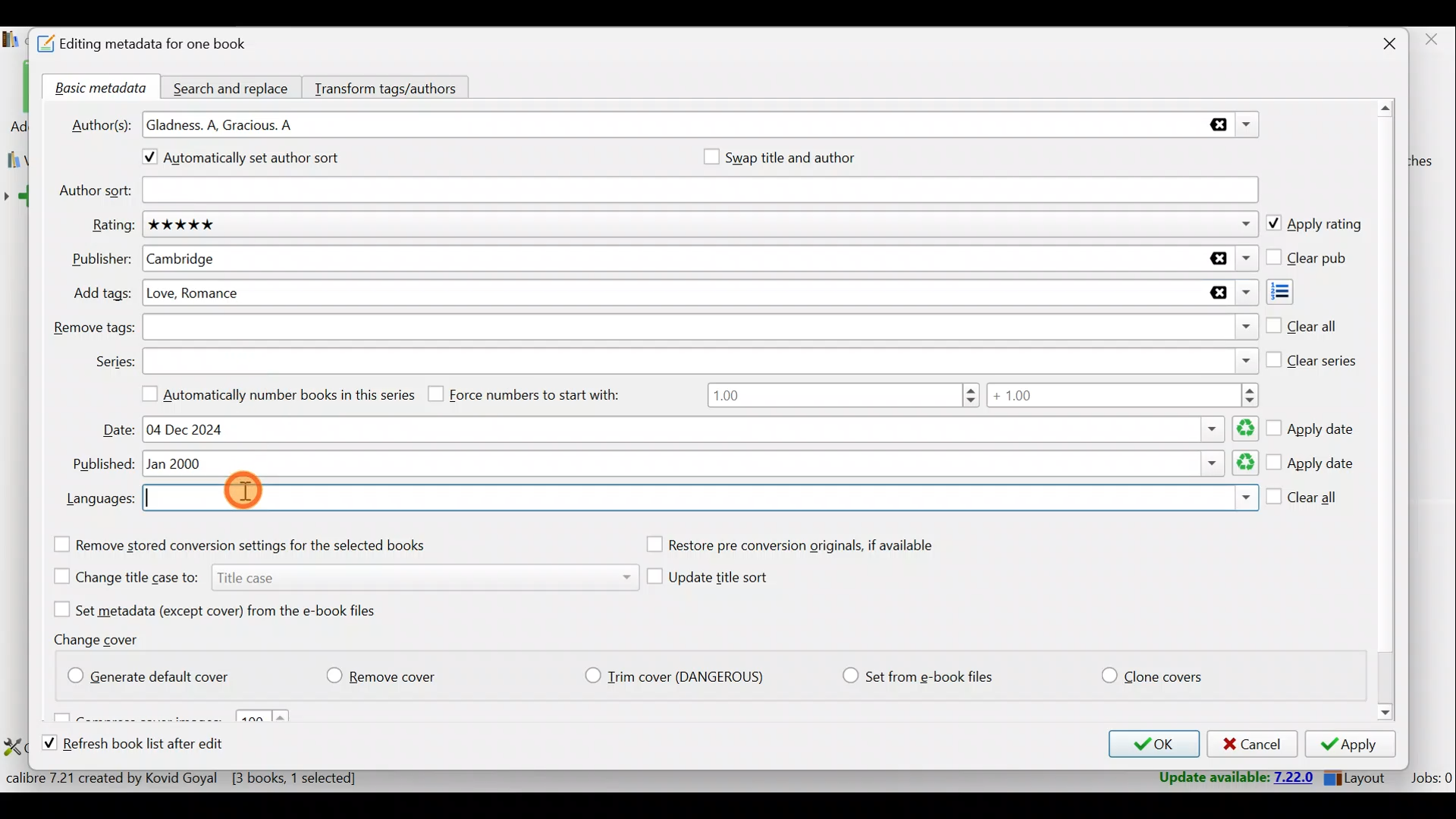 Image resolution: width=1456 pixels, height=819 pixels. Describe the element at coordinates (392, 86) in the screenshot. I see `Transform tags/authors` at that location.